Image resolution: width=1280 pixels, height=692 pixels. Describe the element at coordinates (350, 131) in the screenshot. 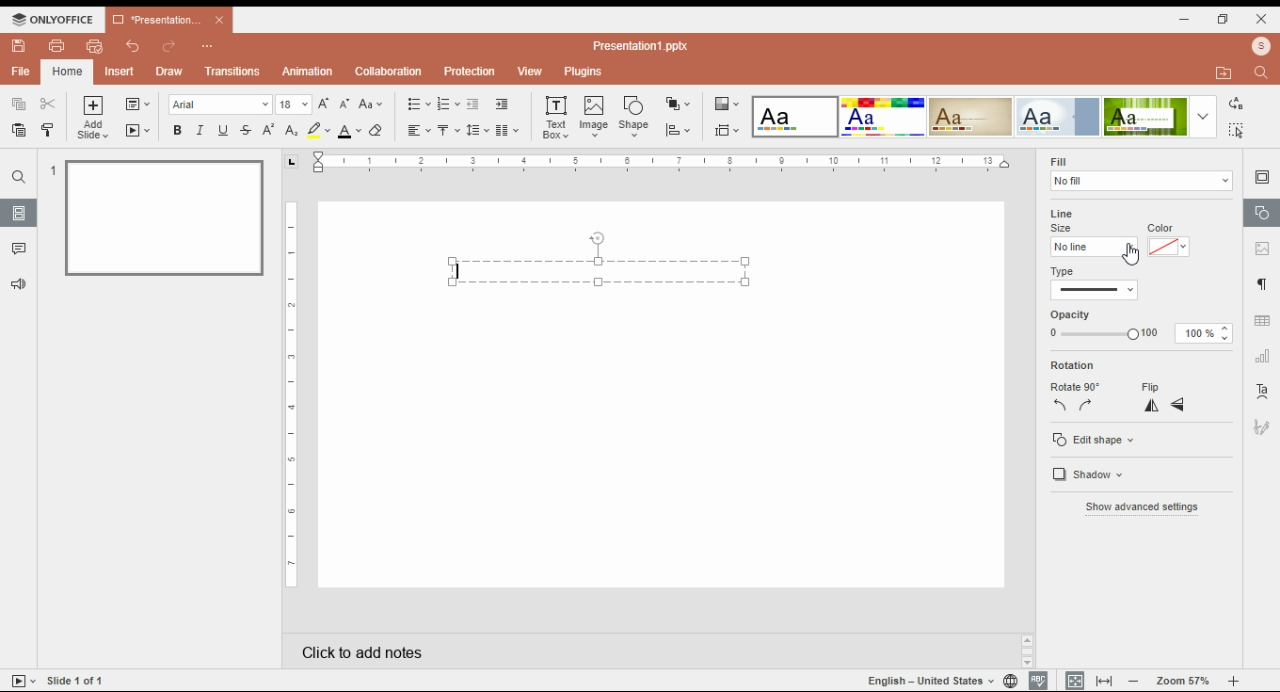

I see `font color` at that location.